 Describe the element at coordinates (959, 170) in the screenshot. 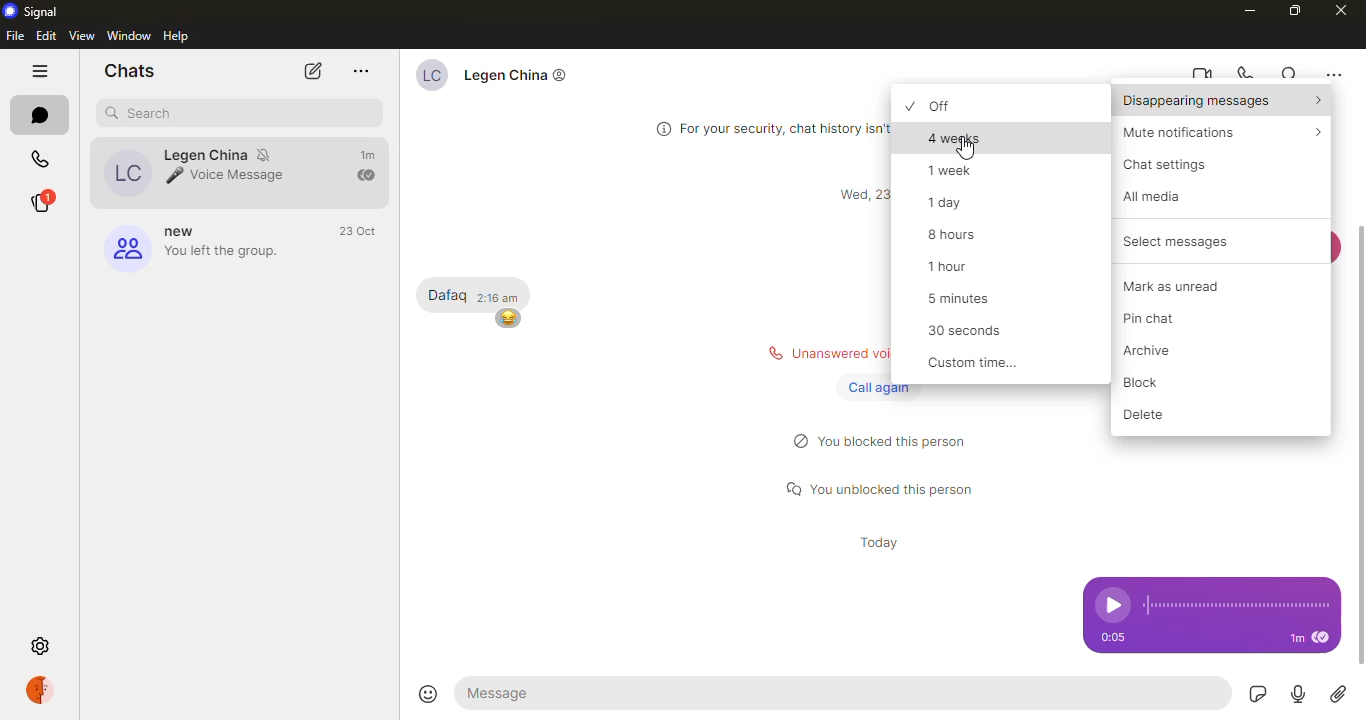

I see `1 week` at that location.